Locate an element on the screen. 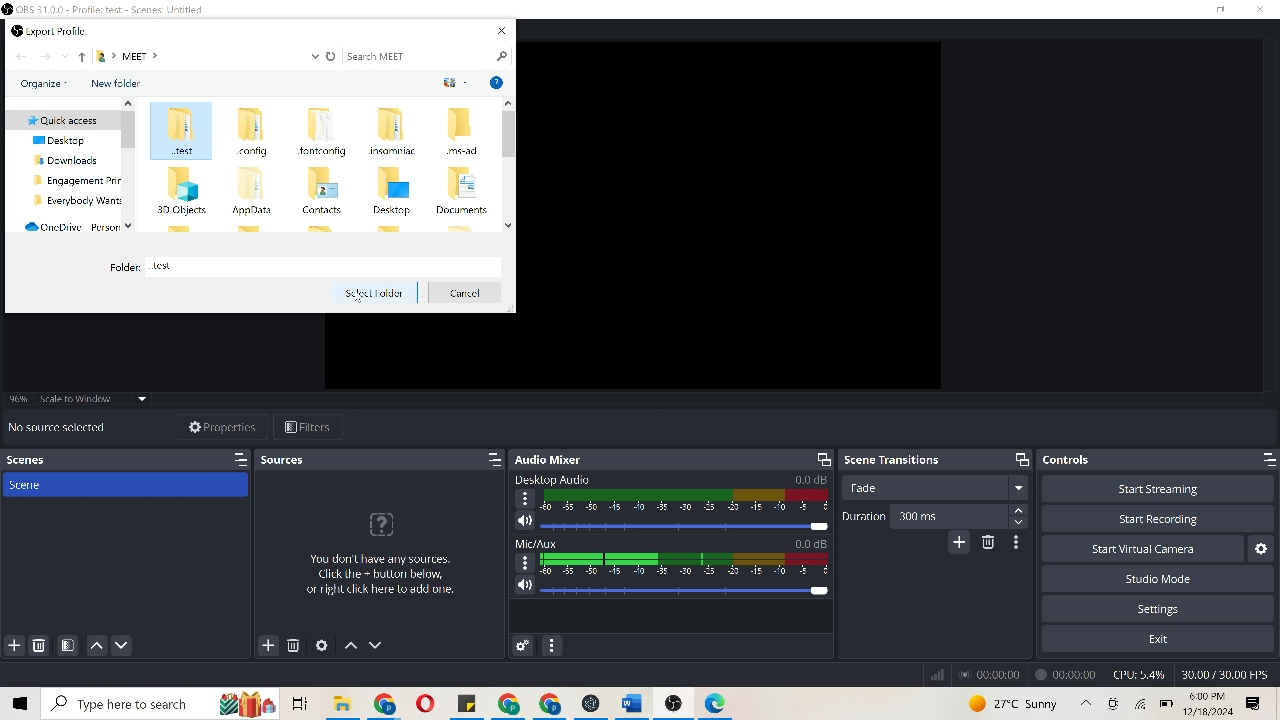 The height and width of the screenshot is (720, 1280). duration is located at coordinates (863, 517).